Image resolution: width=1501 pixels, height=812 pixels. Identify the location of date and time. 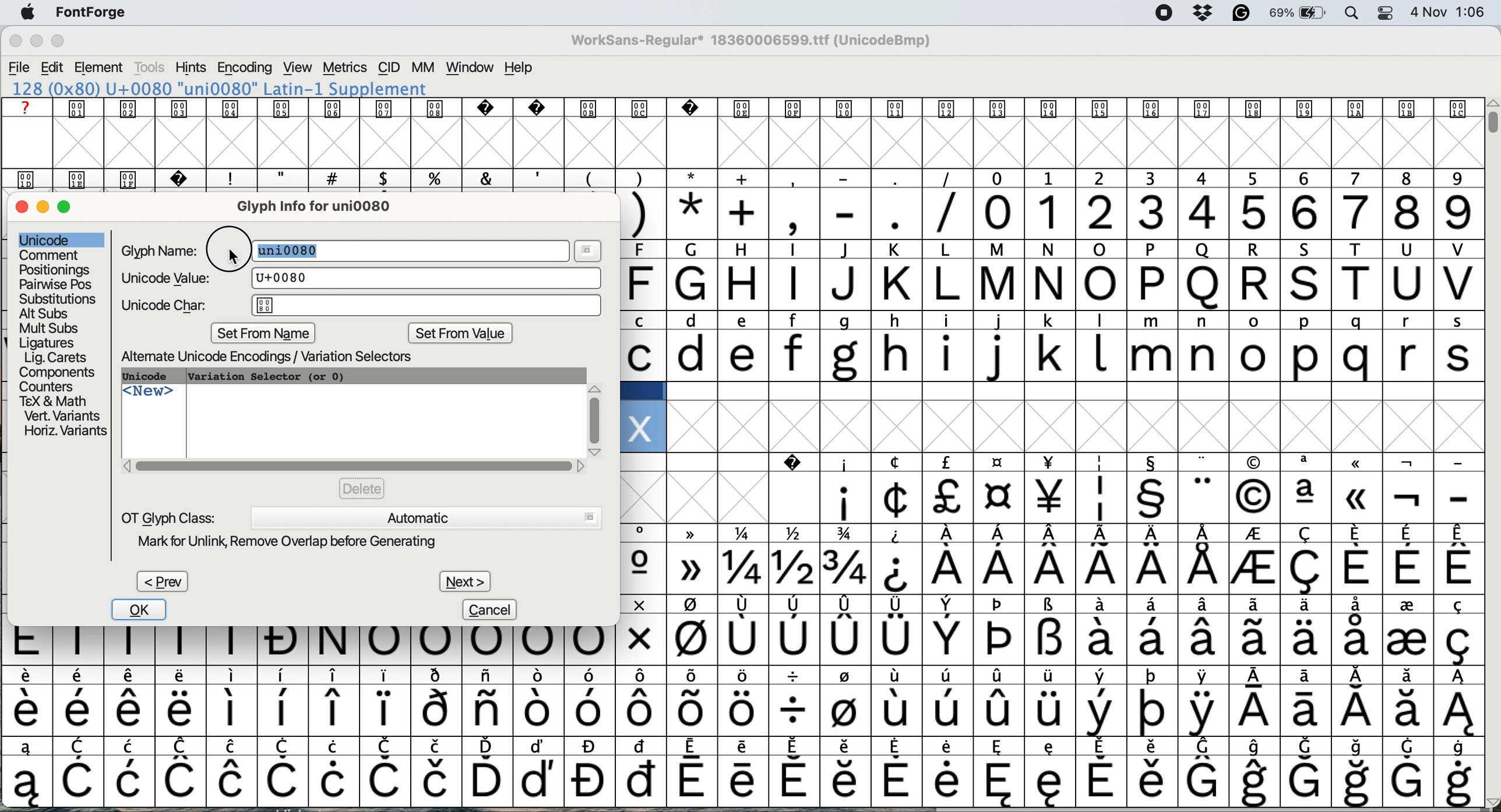
(1449, 12).